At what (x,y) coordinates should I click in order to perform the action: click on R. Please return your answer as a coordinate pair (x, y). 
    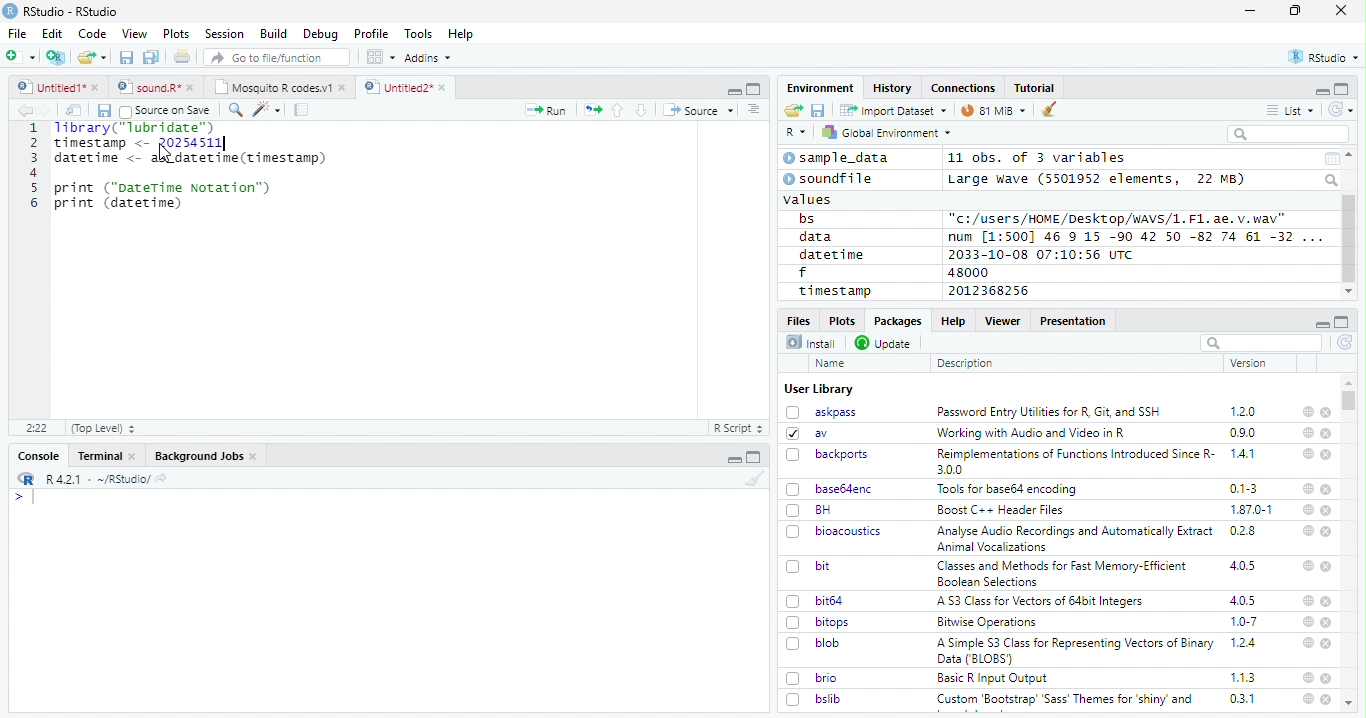
    Looking at the image, I should click on (796, 133).